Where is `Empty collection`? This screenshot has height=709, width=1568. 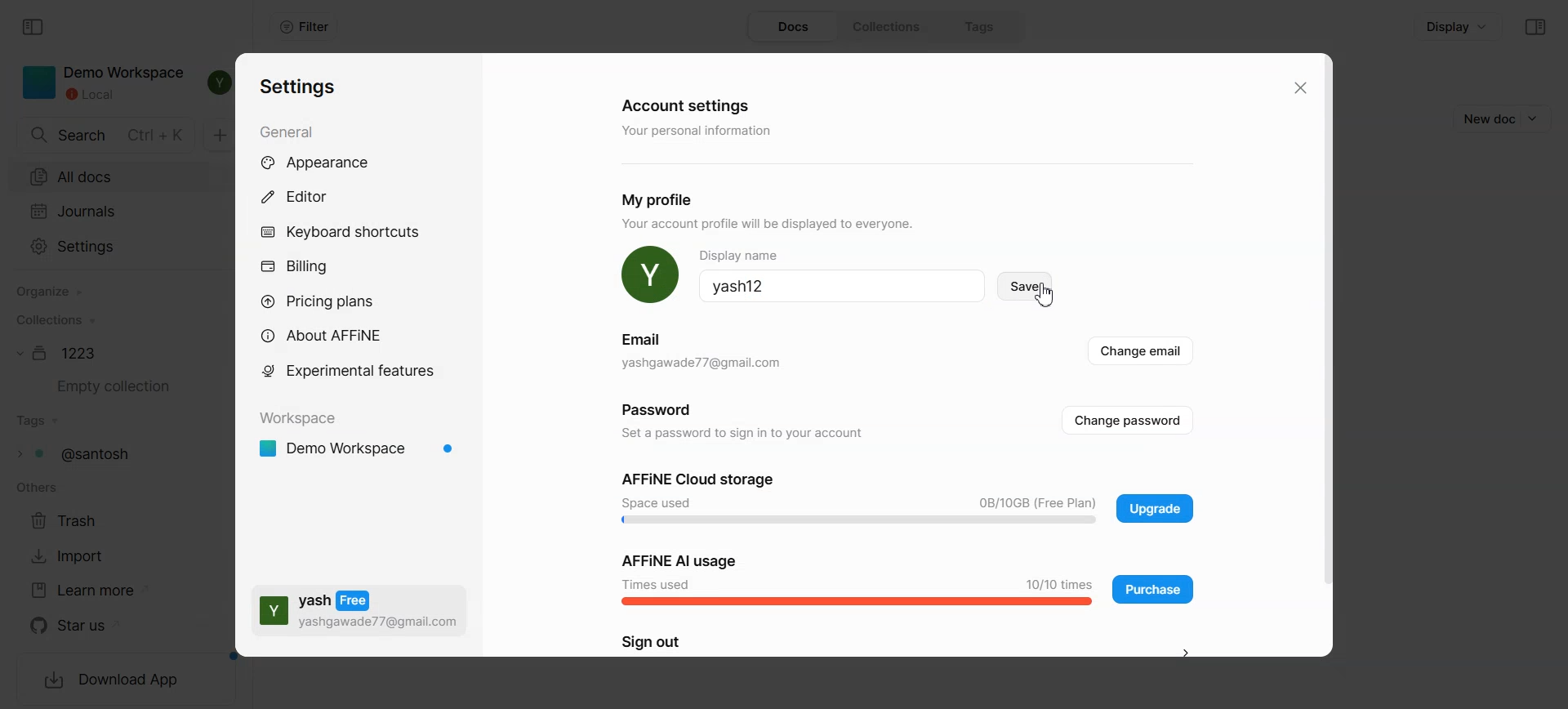 Empty collection is located at coordinates (109, 386).